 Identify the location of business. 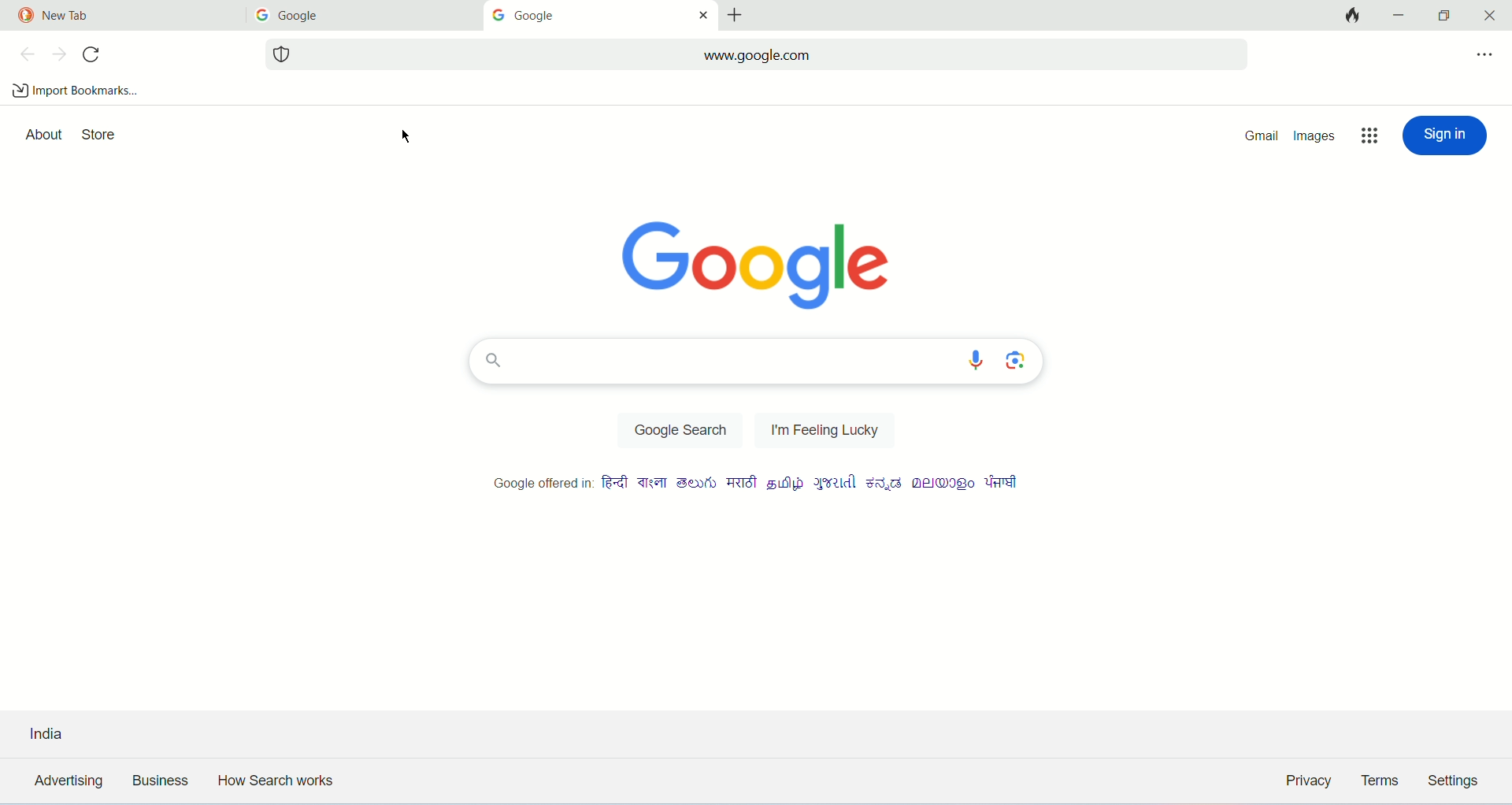
(159, 779).